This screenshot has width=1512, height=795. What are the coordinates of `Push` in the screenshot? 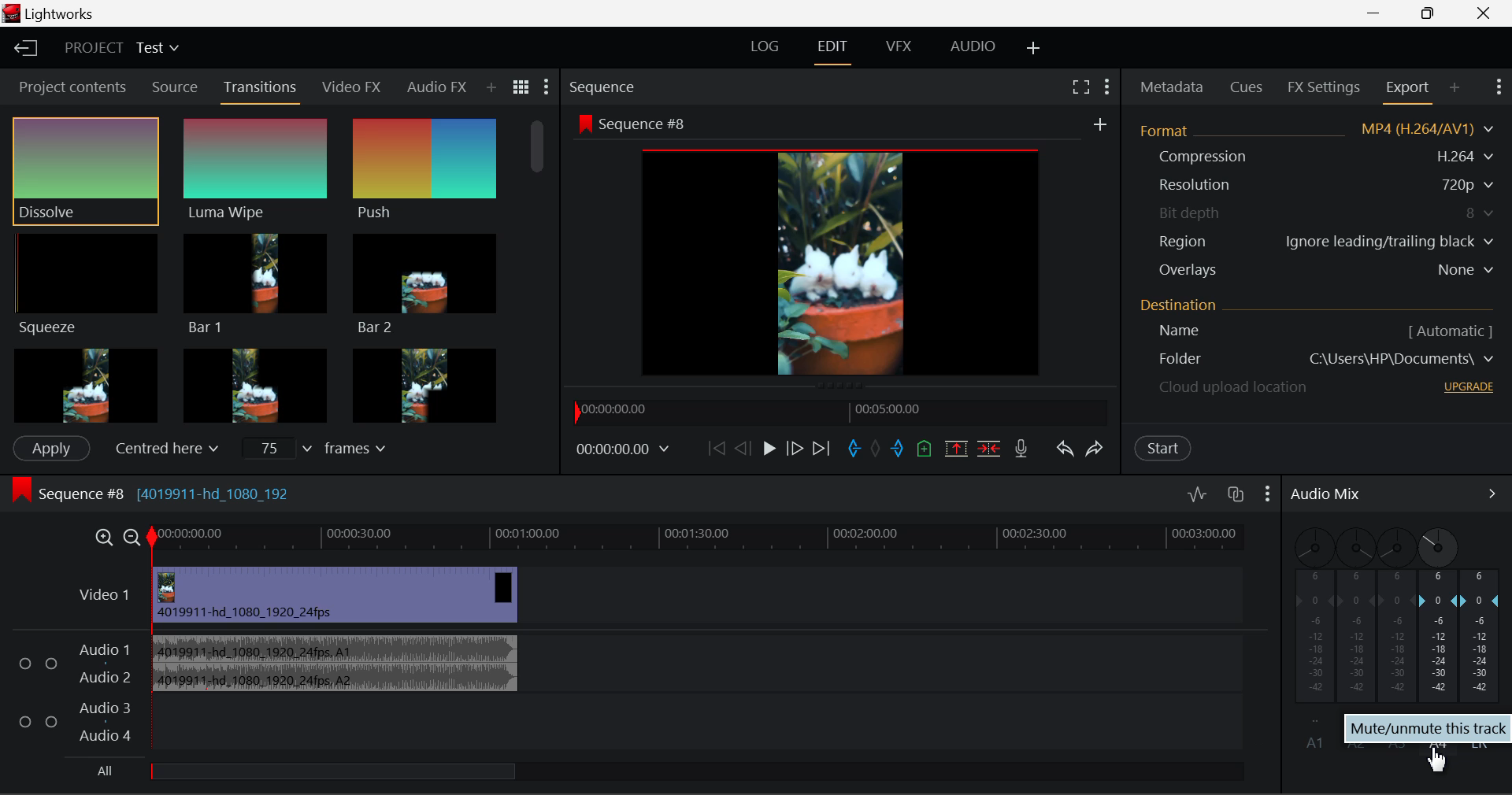 It's located at (424, 170).